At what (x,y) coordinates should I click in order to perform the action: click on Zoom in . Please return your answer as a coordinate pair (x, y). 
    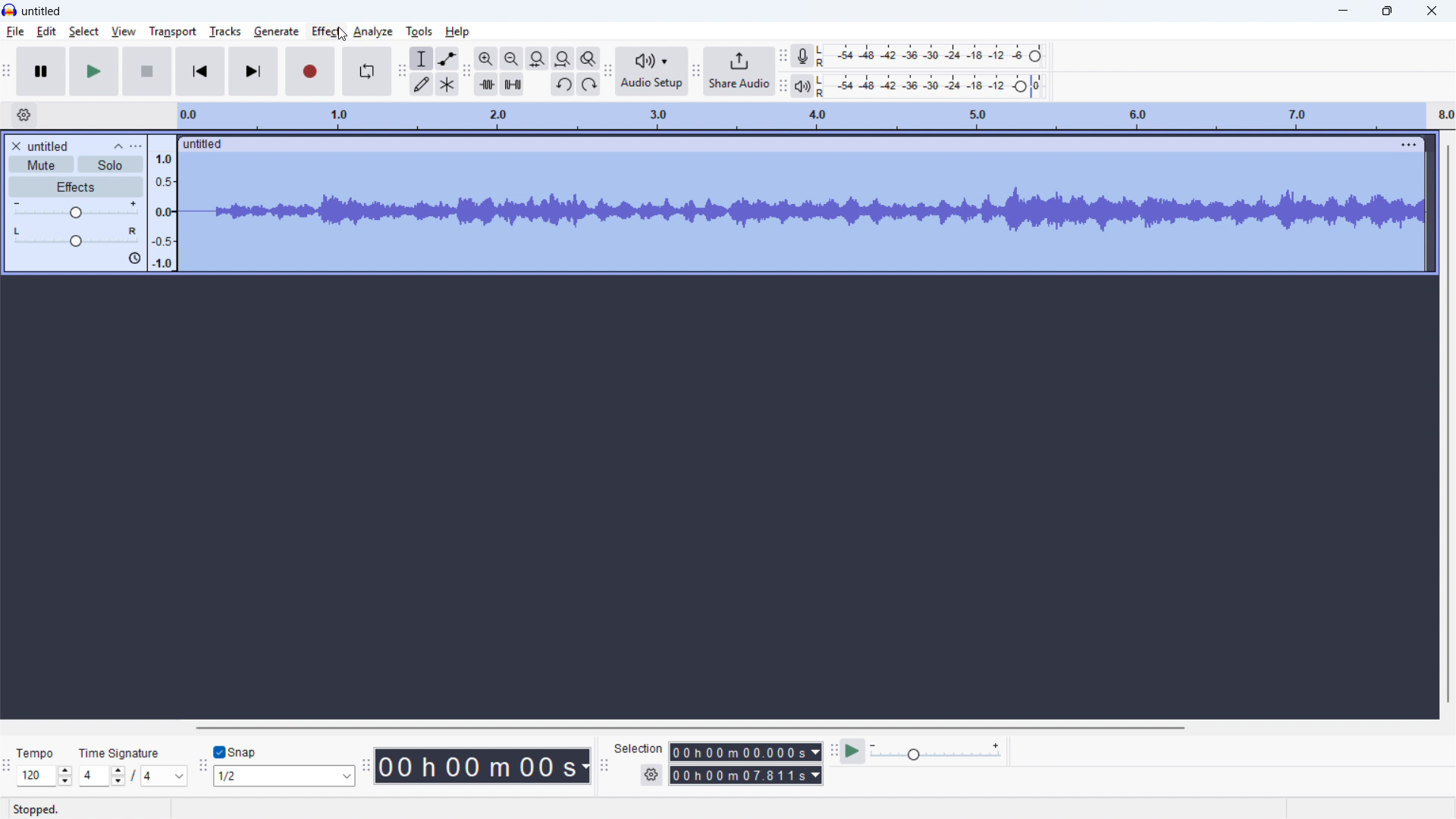
    Looking at the image, I should click on (485, 58).